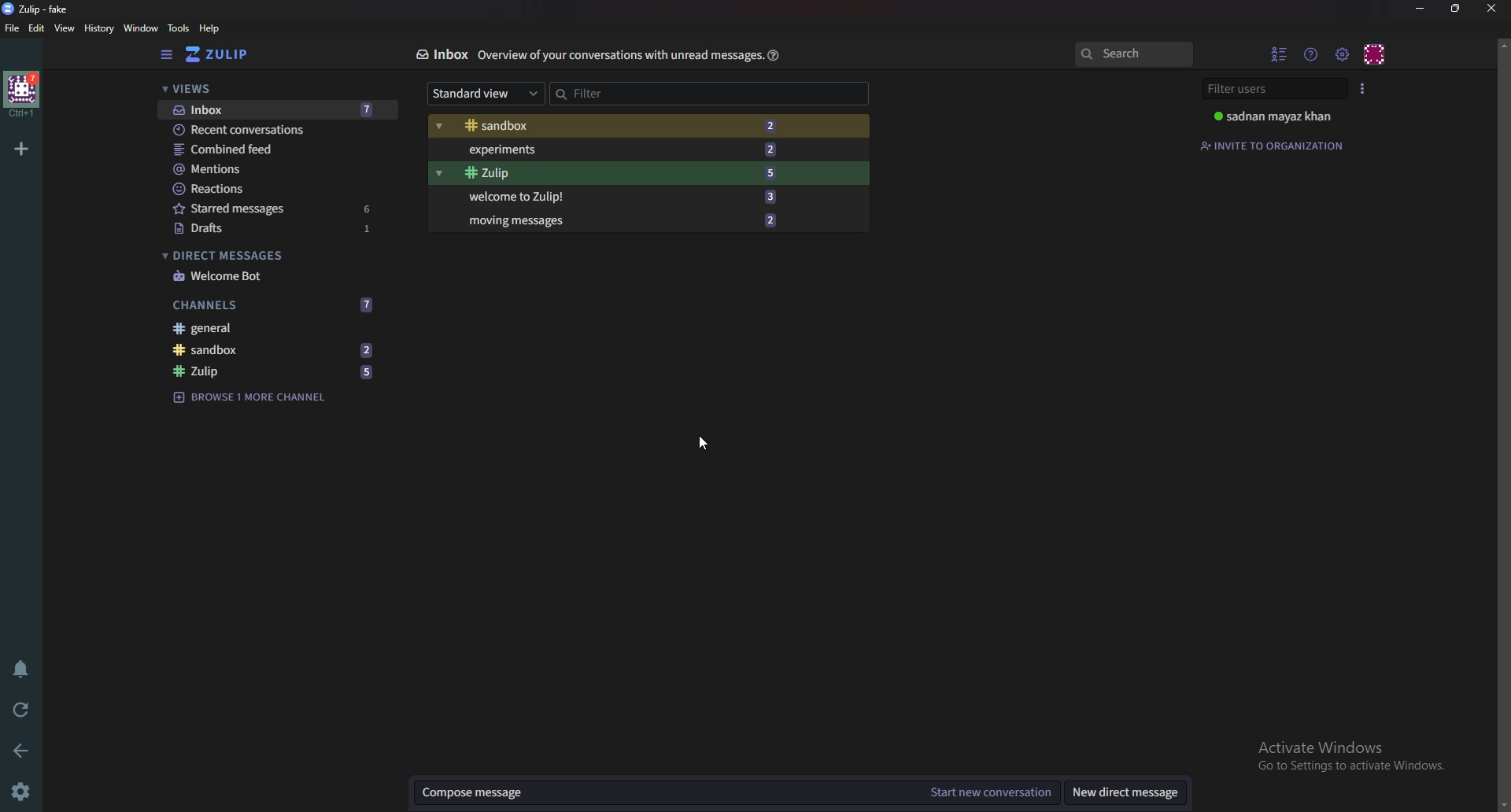 The height and width of the screenshot is (812, 1511). What do you see at coordinates (271, 128) in the screenshot?
I see `Recent conversations` at bounding box center [271, 128].